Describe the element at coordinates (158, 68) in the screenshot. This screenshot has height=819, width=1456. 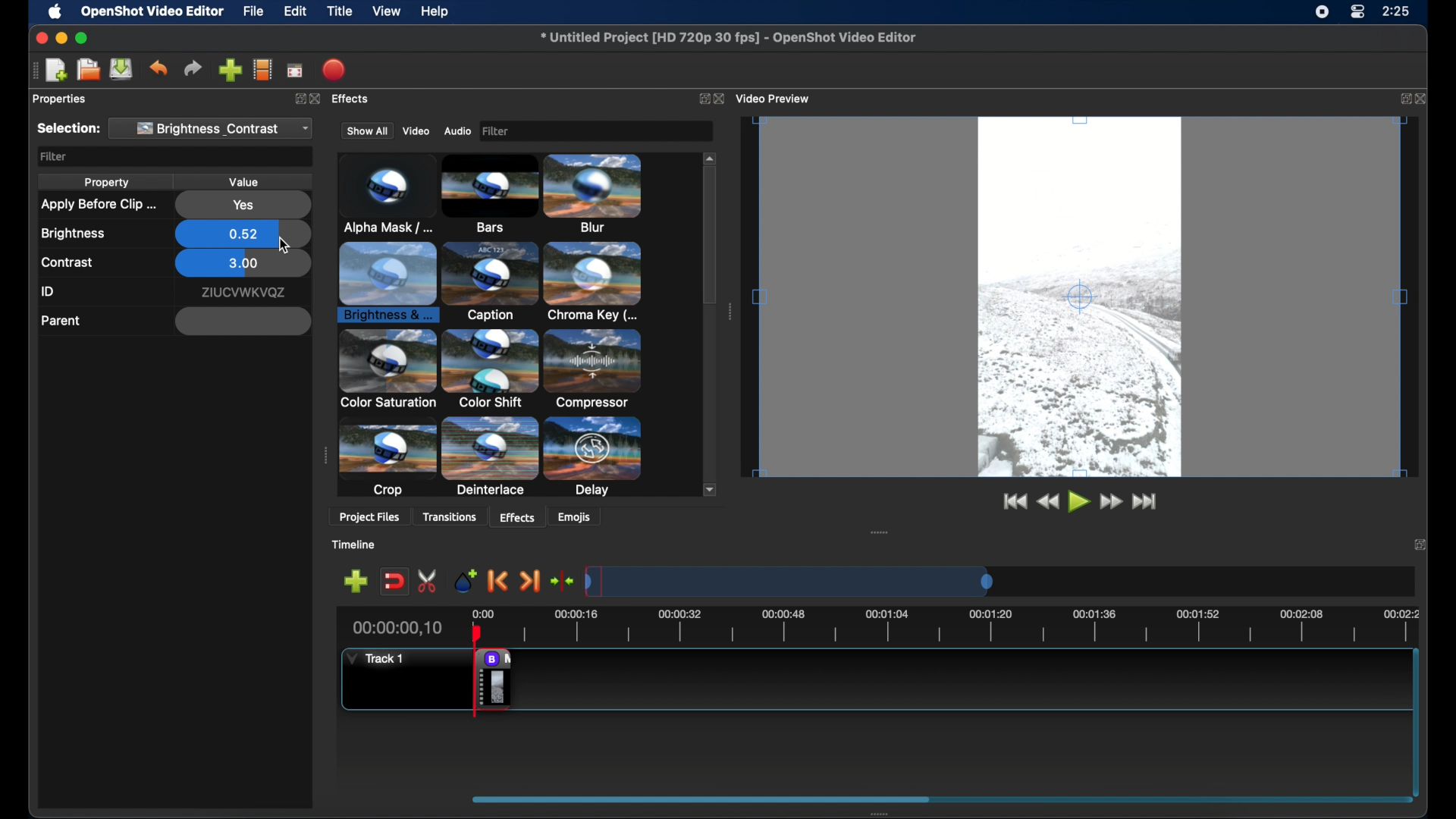
I see `undo` at that location.